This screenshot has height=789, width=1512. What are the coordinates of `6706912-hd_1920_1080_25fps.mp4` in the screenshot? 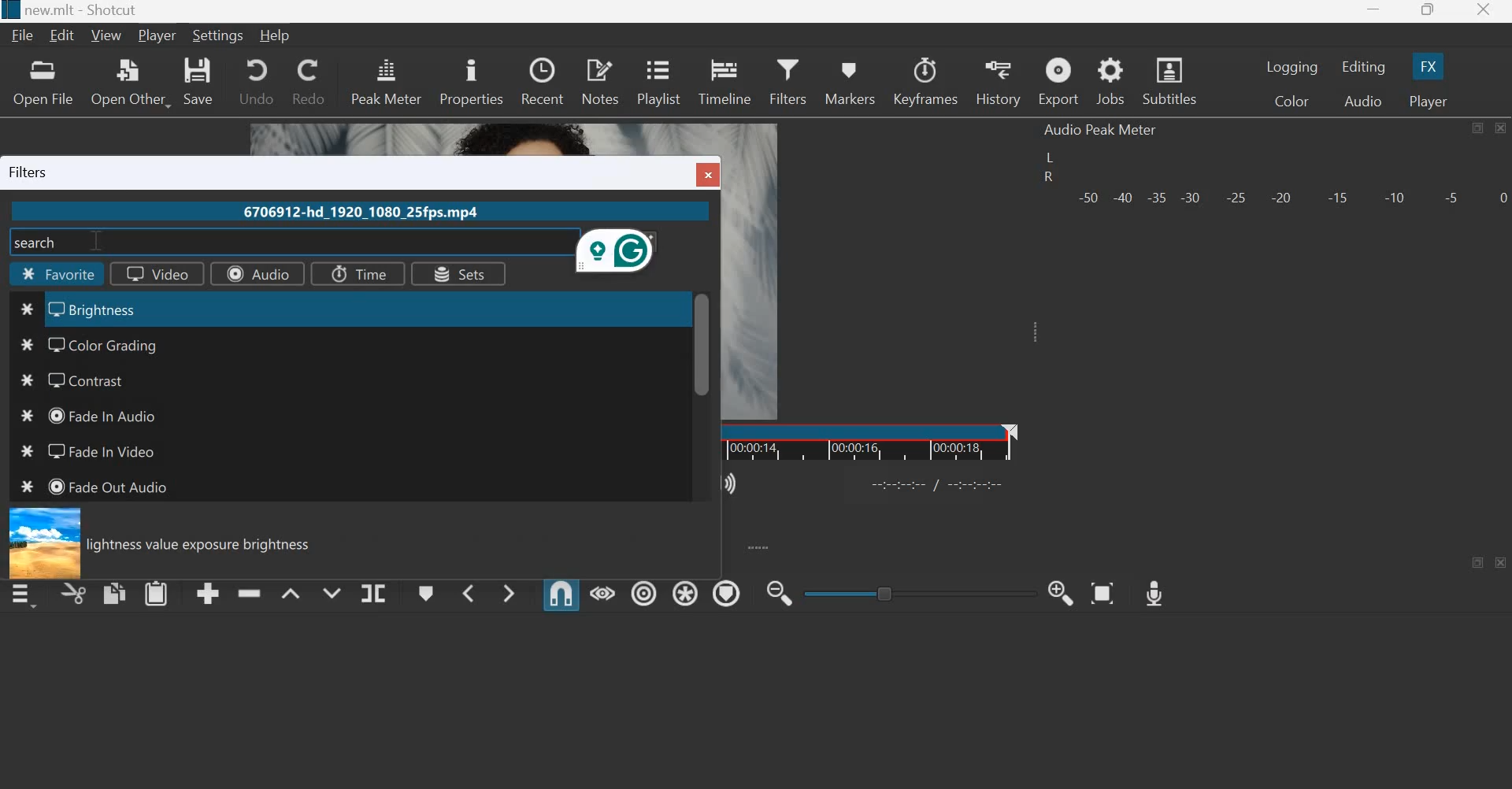 It's located at (358, 213).